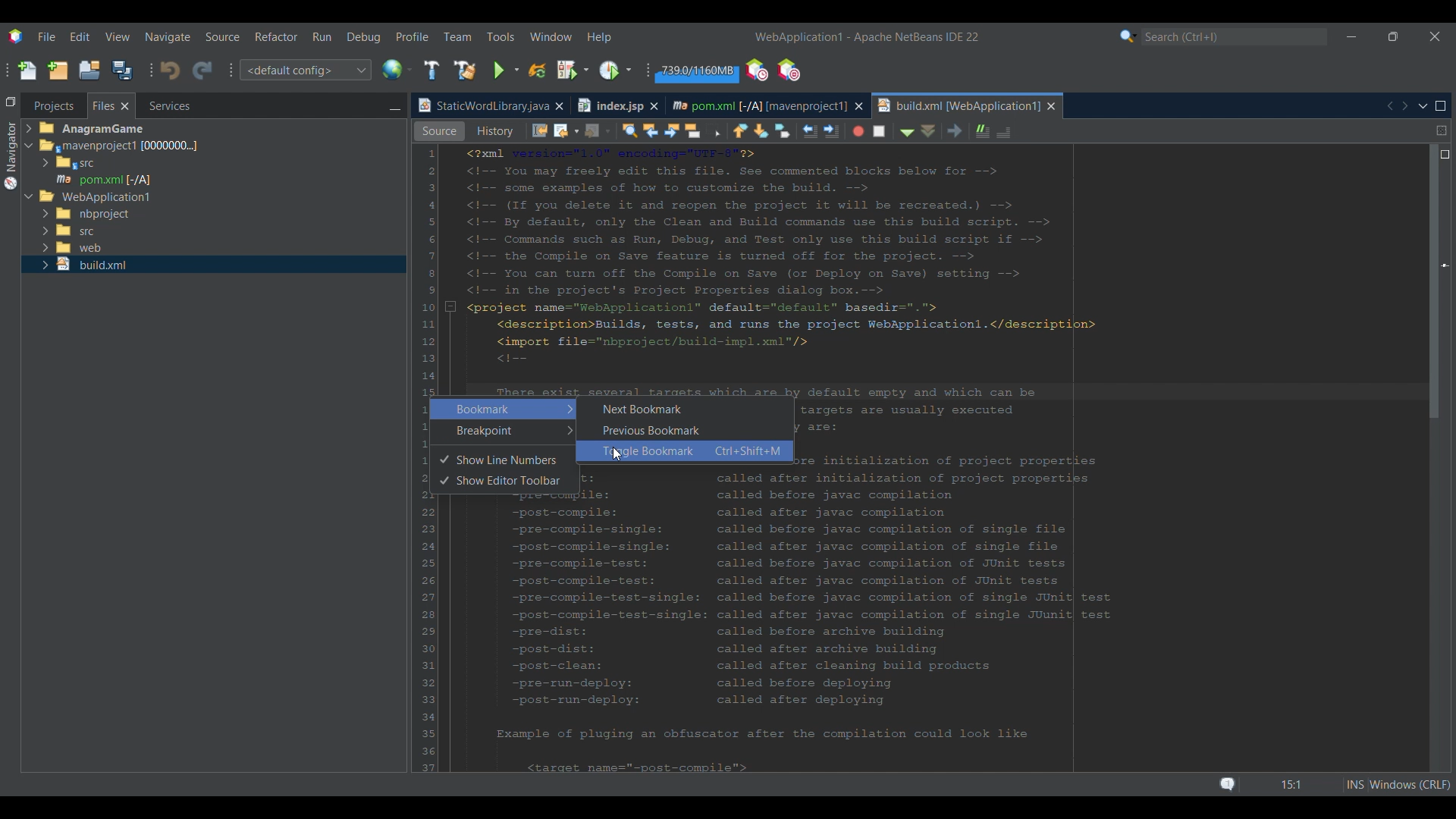 The width and height of the screenshot is (1456, 819). What do you see at coordinates (698, 71) in the screenshot?
I see `Garbage collection changed` at bounding box center [698, 71].